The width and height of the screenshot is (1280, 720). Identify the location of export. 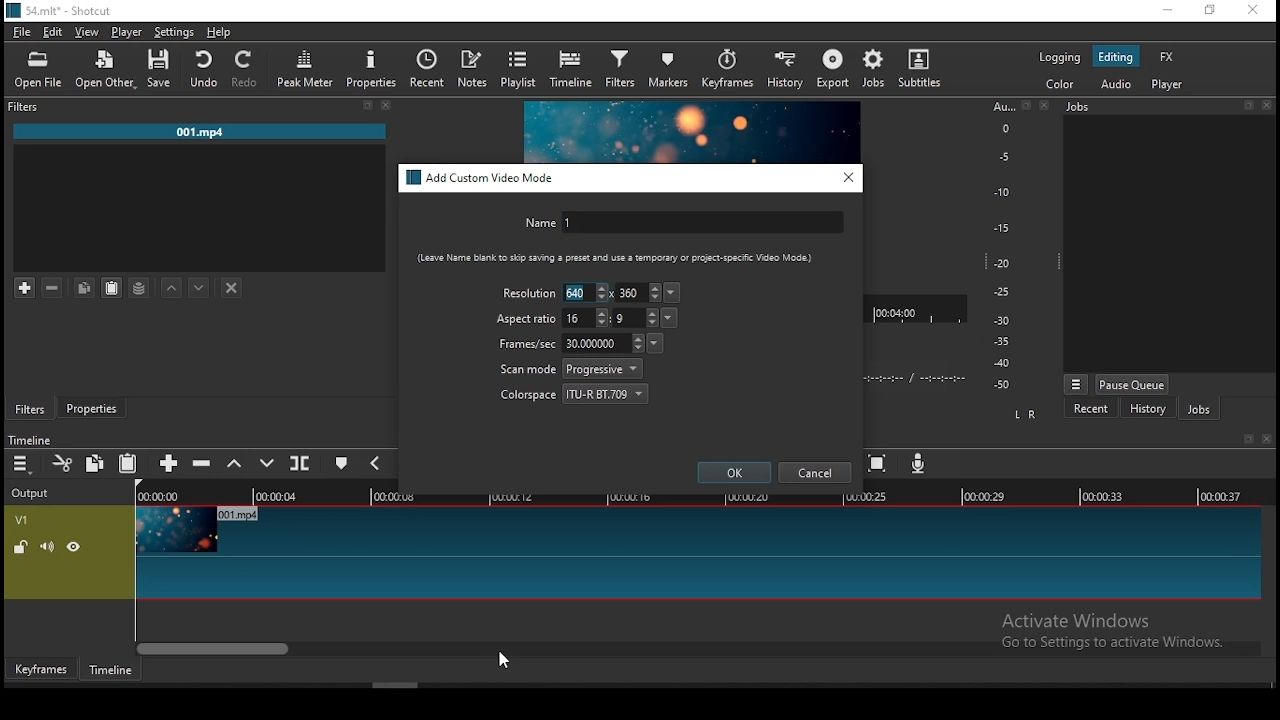
(835, 70).